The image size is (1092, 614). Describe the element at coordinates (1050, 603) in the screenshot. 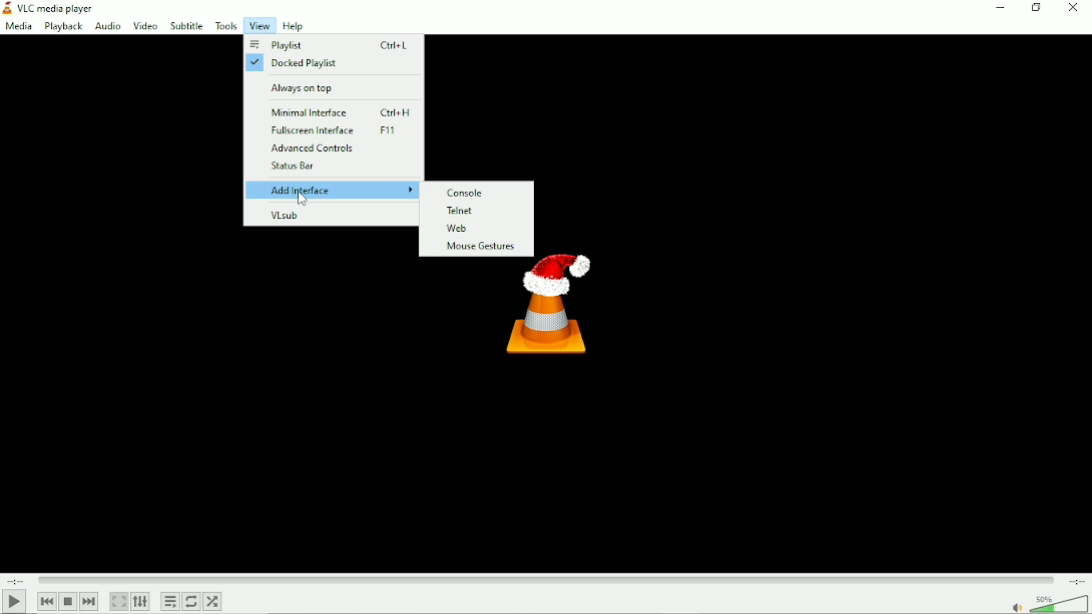

I see `Volume` at that location.